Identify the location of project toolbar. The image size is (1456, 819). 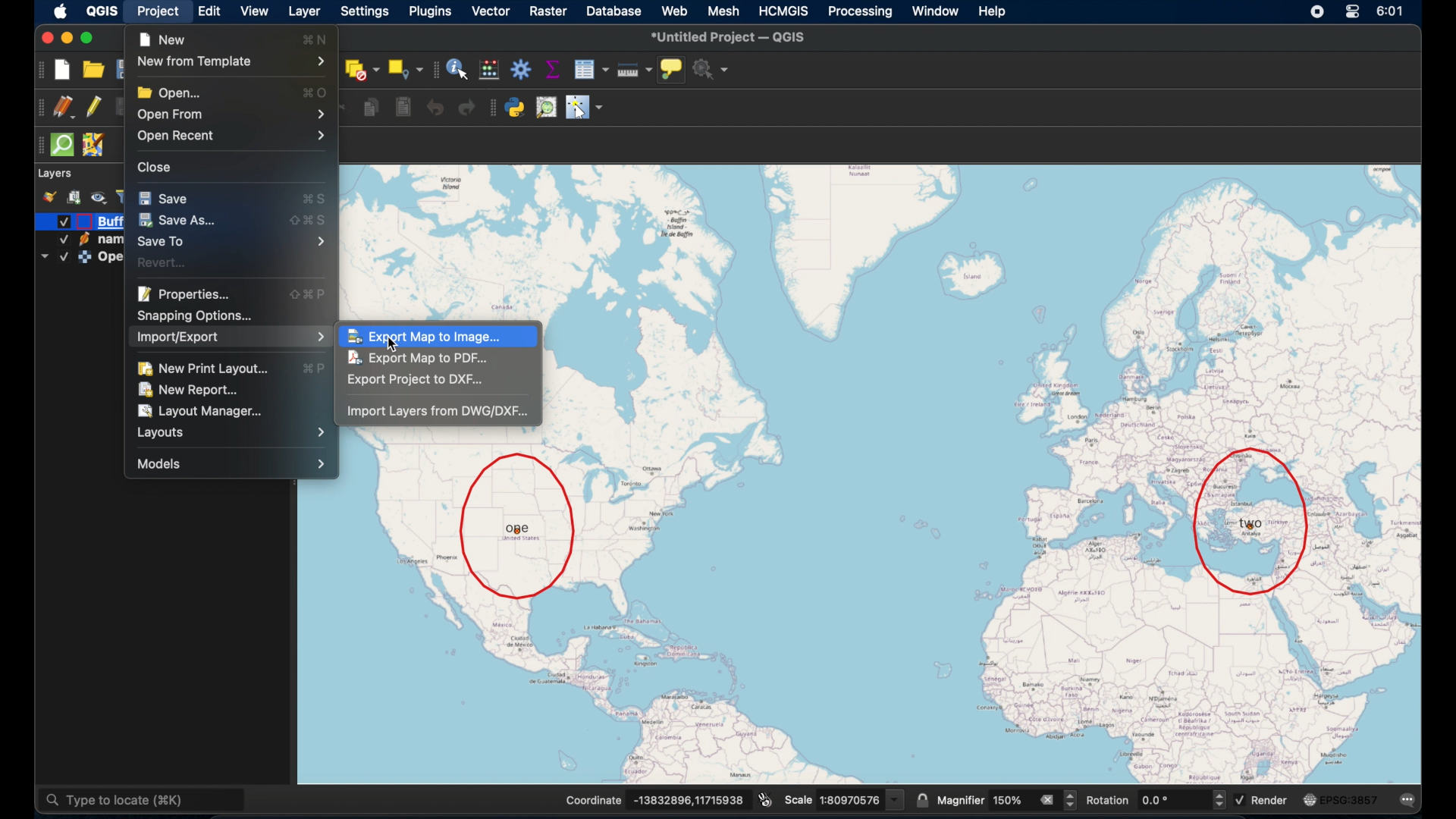
(39, 70).